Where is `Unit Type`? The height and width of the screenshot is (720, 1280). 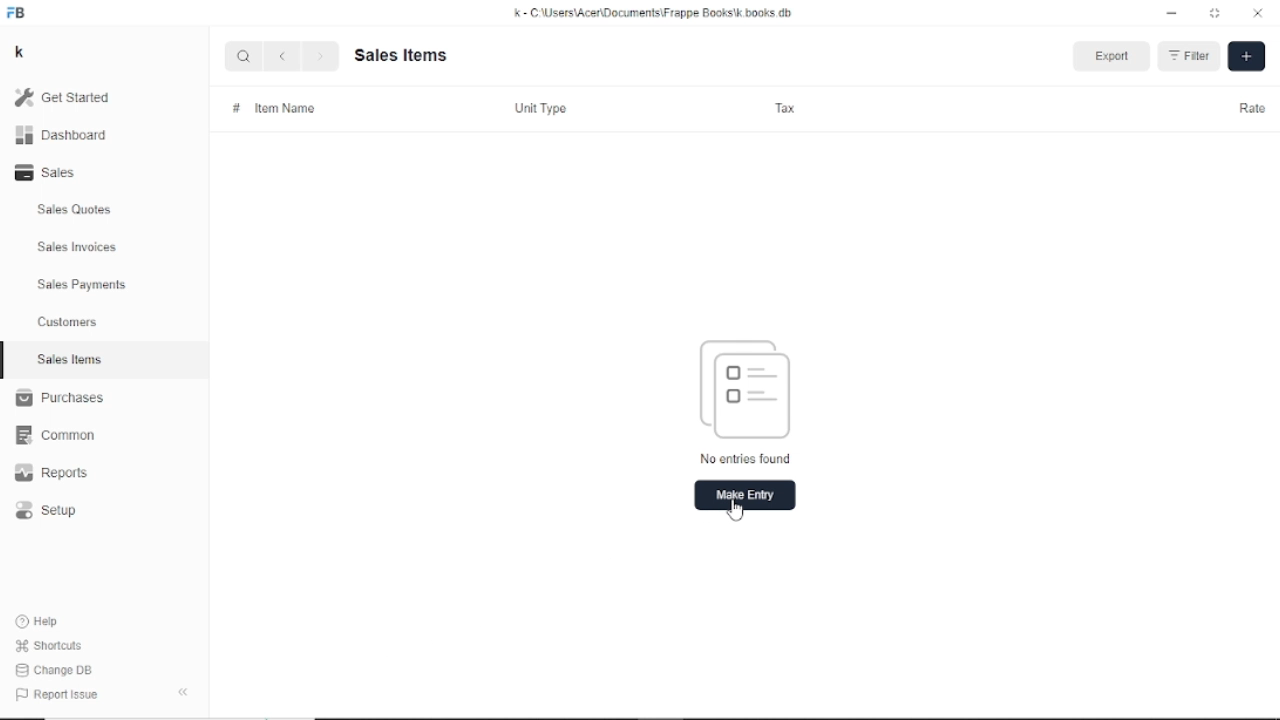 Unit Type is located at coordinates (541, 107).